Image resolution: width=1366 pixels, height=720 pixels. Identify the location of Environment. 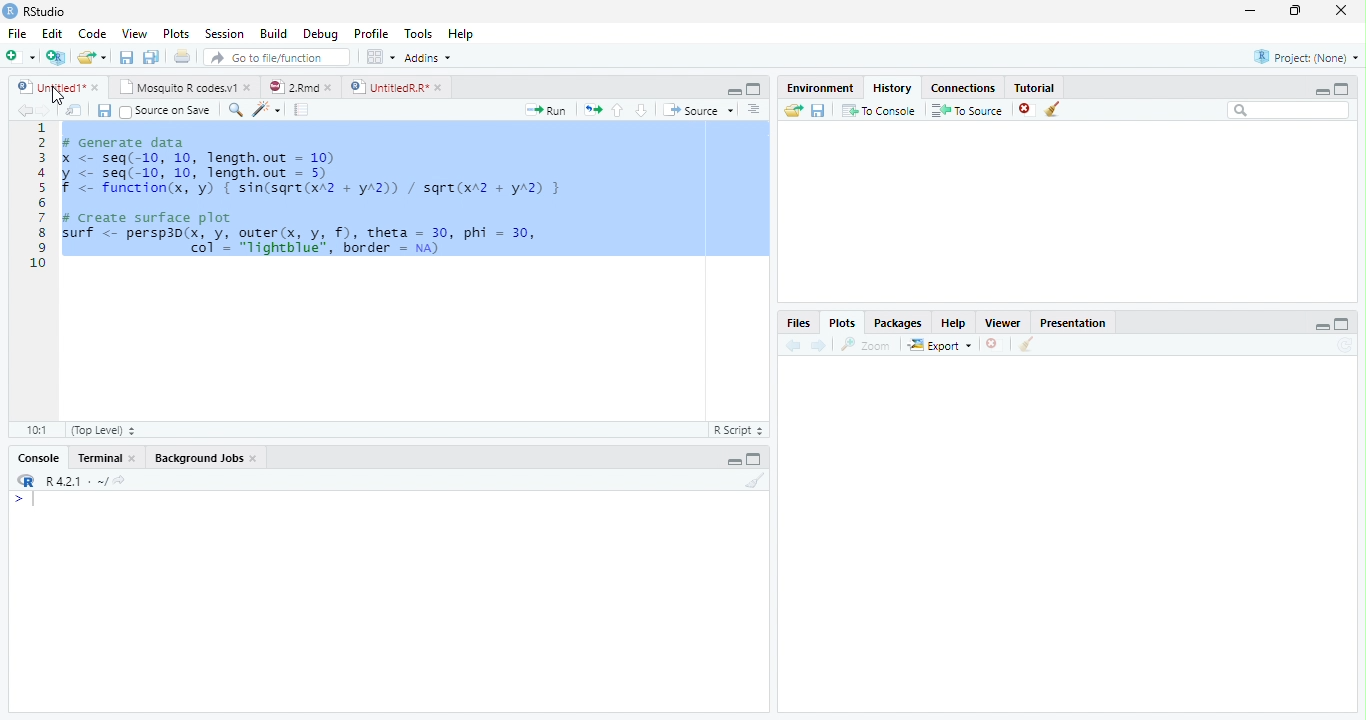
(820, 88).